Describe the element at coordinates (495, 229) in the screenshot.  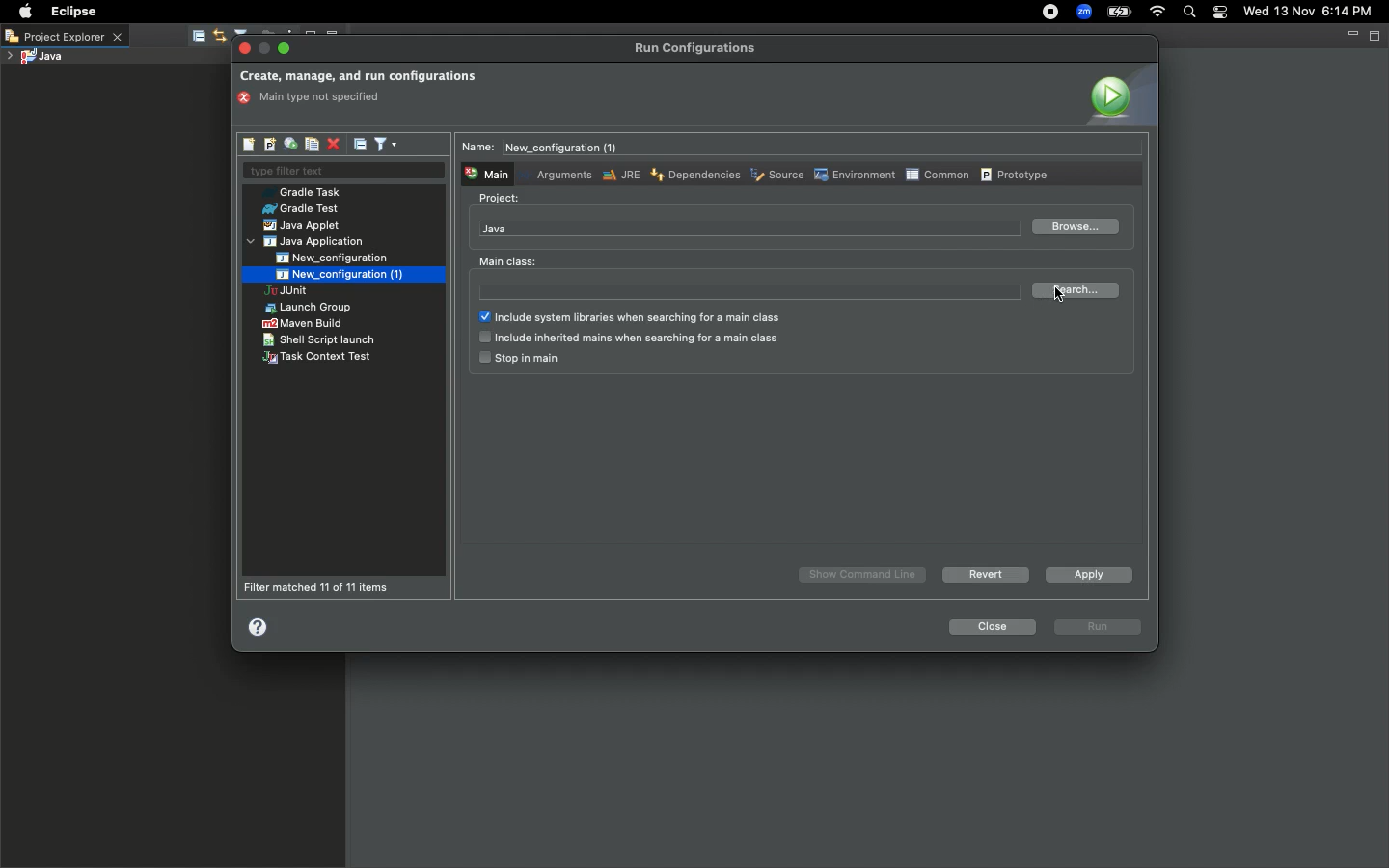
I see `Java` at that location.